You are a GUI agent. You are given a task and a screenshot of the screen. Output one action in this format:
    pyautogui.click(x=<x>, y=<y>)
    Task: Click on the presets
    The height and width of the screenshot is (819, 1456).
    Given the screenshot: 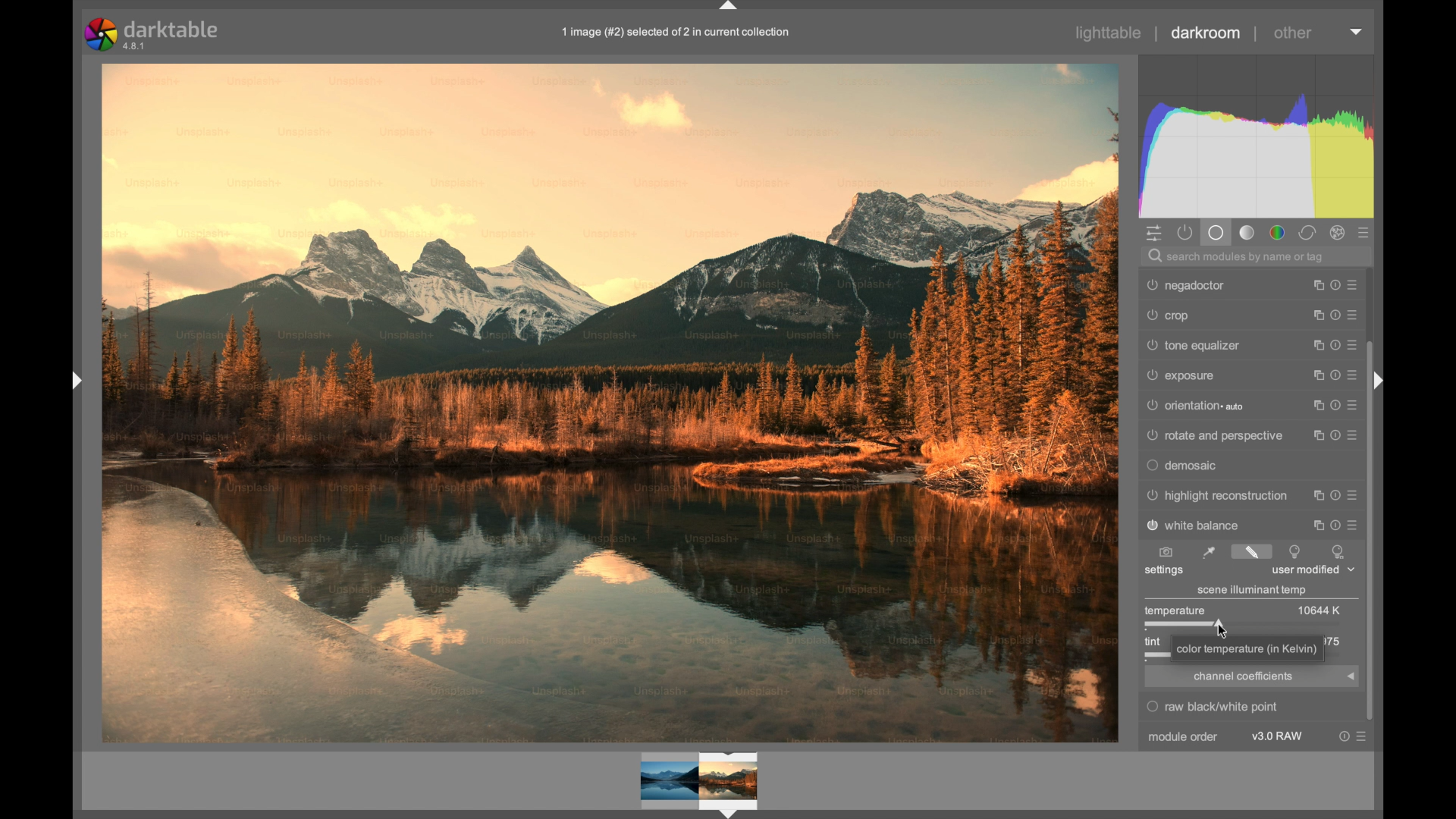 What is the action you would take?
    pyautogui.click(x=1353, y=341)
    